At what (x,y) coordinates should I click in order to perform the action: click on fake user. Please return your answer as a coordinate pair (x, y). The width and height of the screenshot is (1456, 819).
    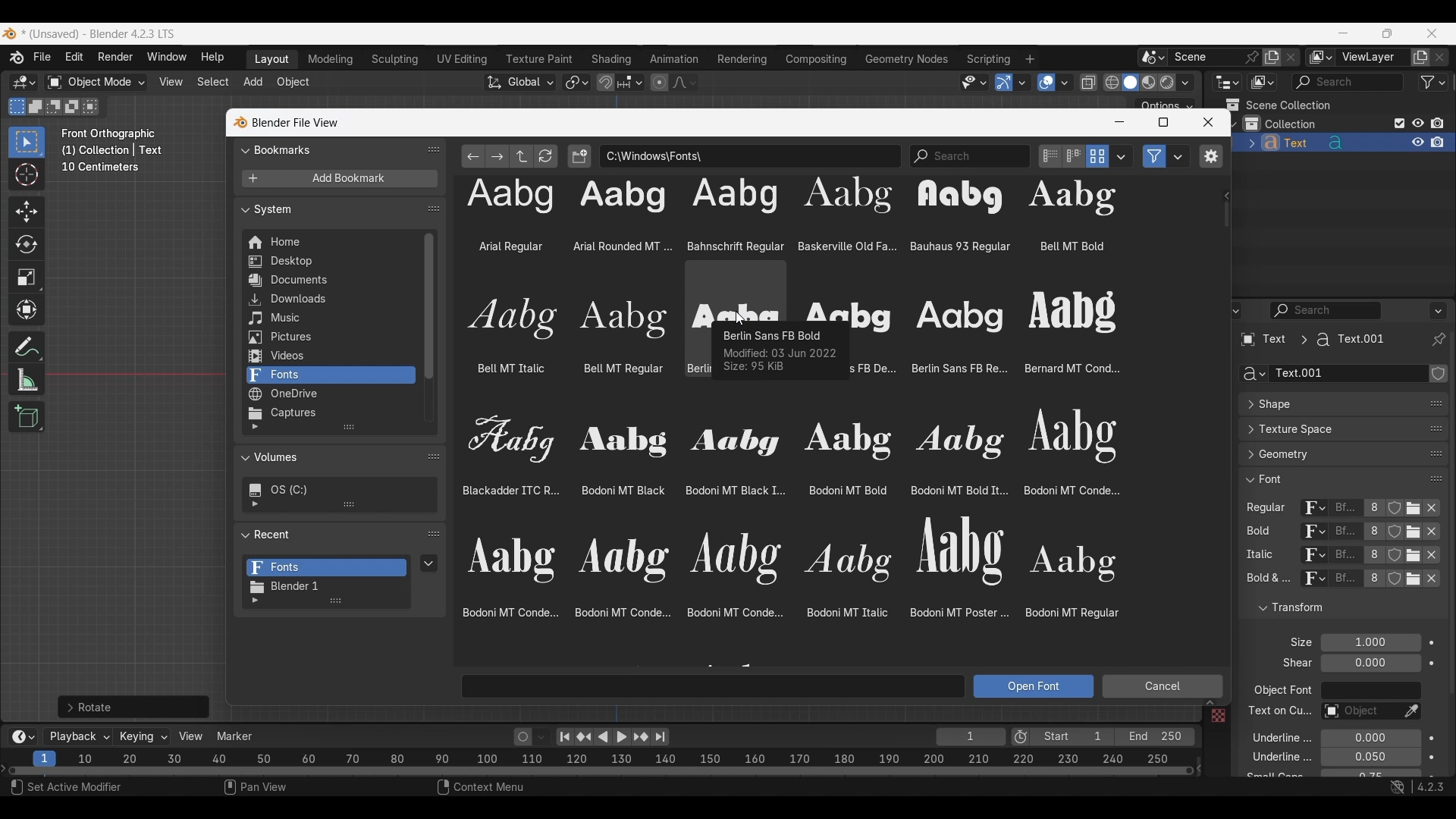
    Looking at the image, I should click on (1397, 585).